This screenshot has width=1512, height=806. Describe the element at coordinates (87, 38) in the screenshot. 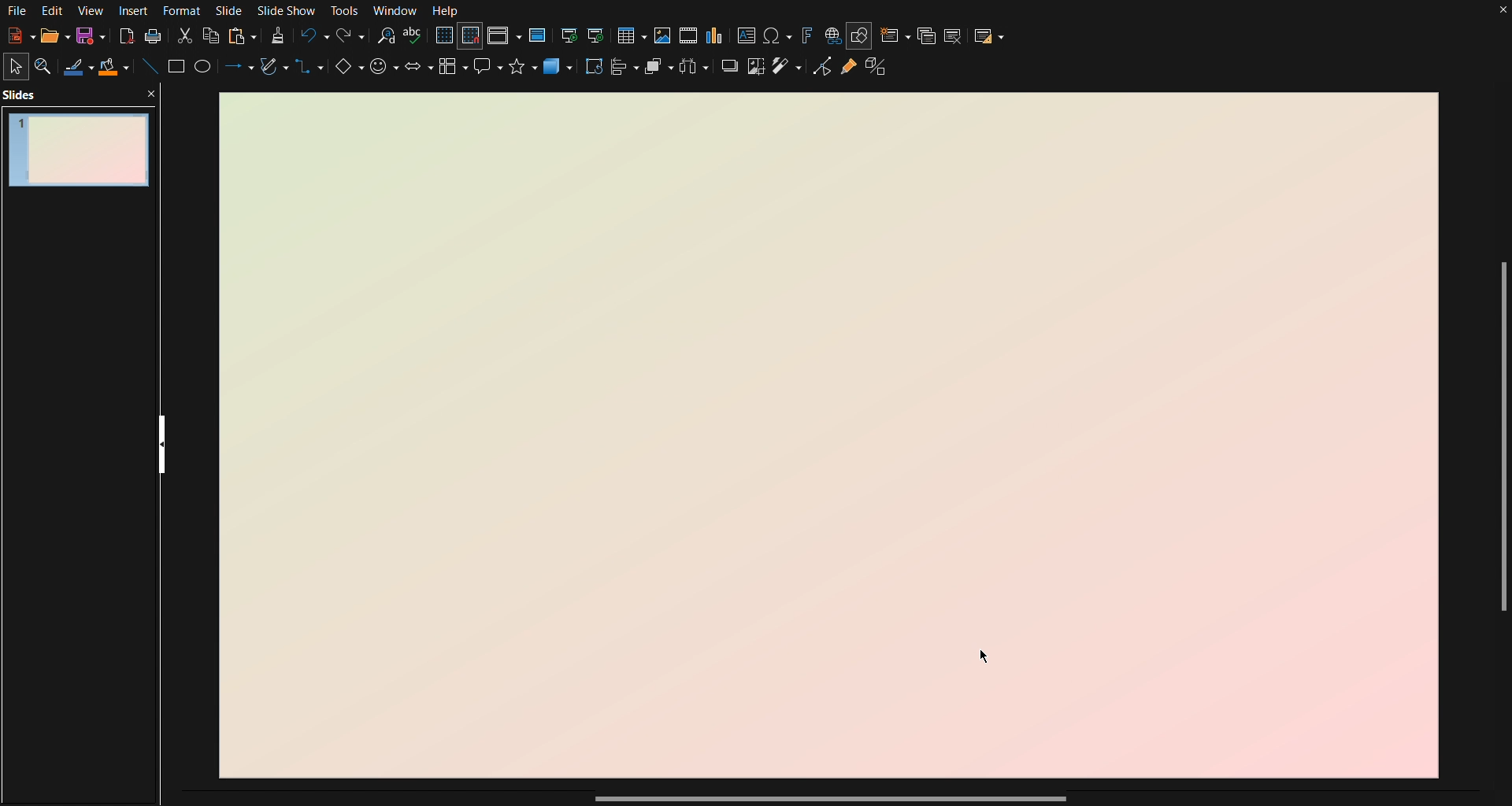

I see `Save` at that location.